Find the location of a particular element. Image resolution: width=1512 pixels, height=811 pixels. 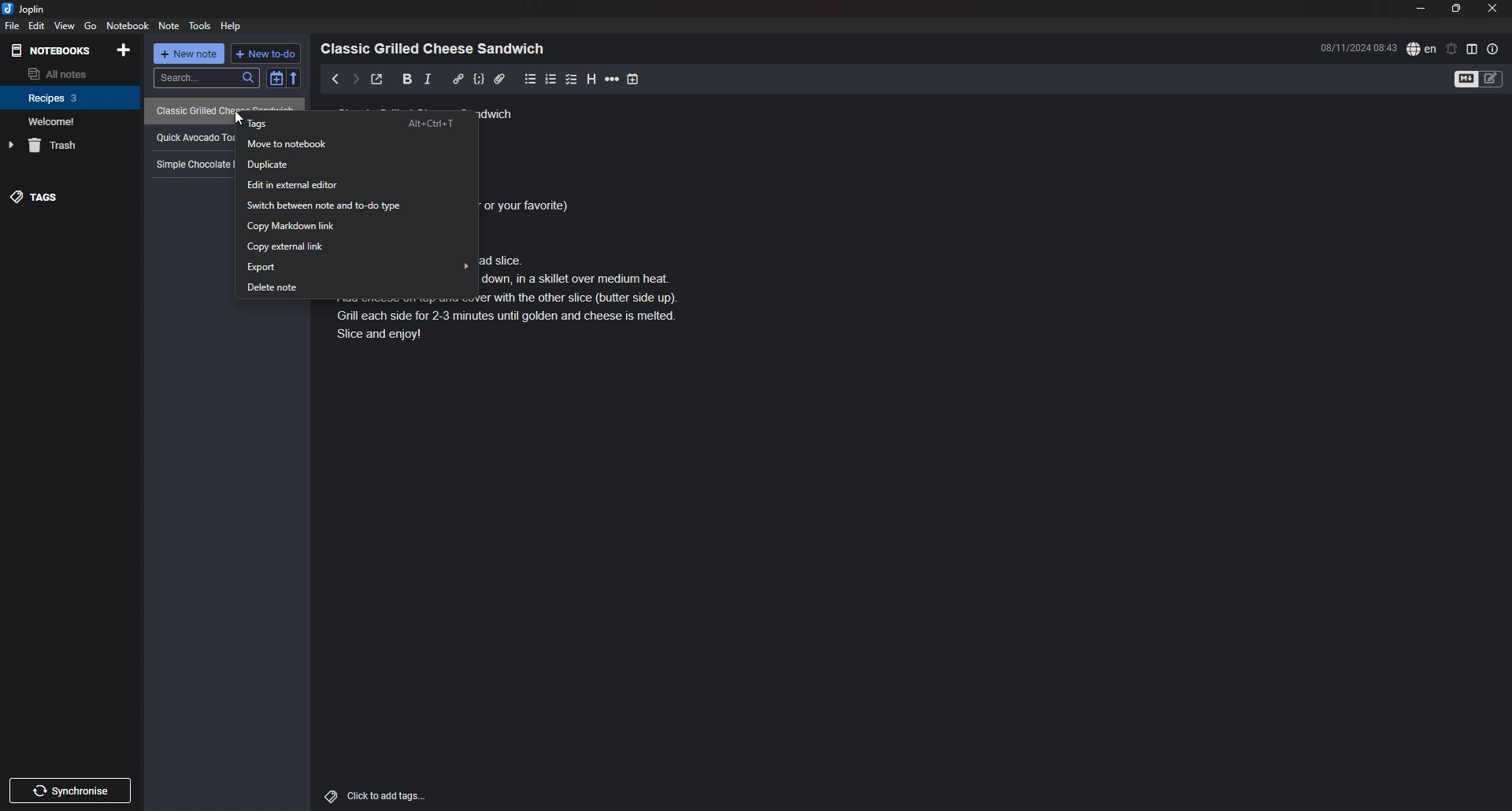

heading is located at coordinates (591, 79).